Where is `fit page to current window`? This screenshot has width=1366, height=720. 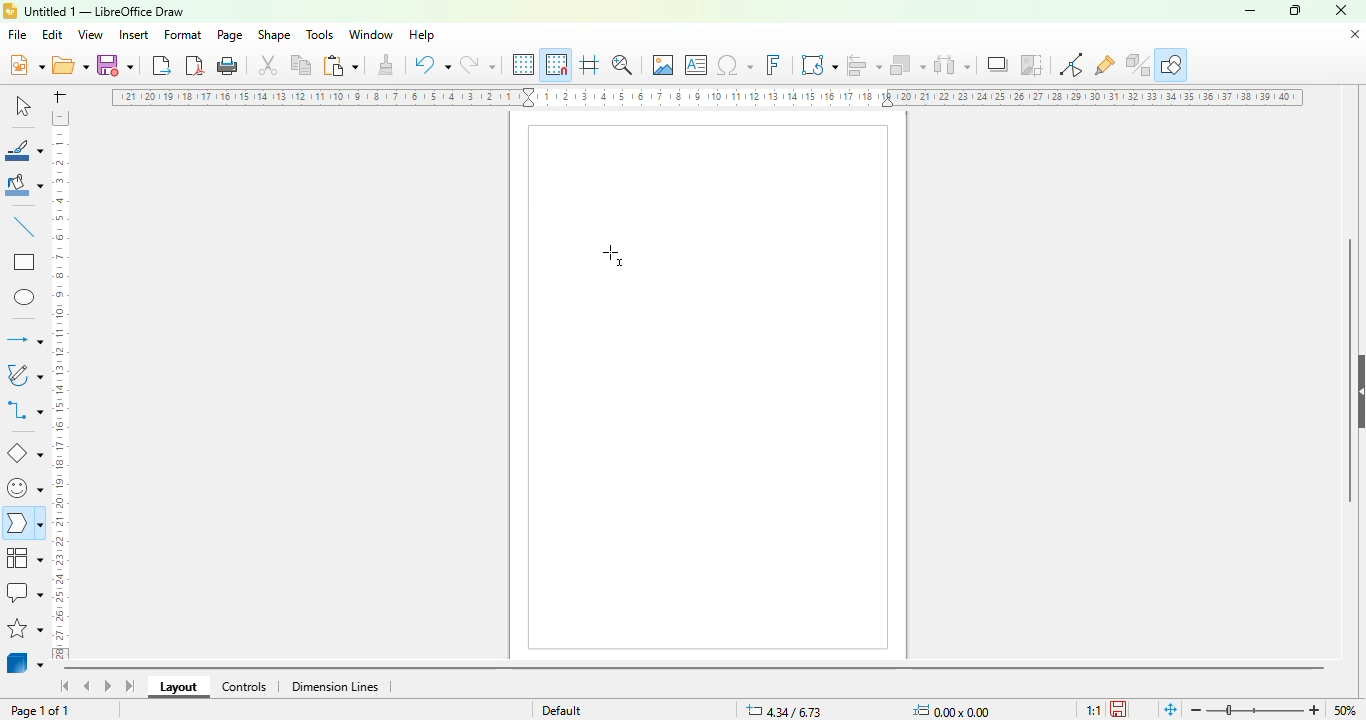
fit page to current window is located at coordinates (1171, 710).